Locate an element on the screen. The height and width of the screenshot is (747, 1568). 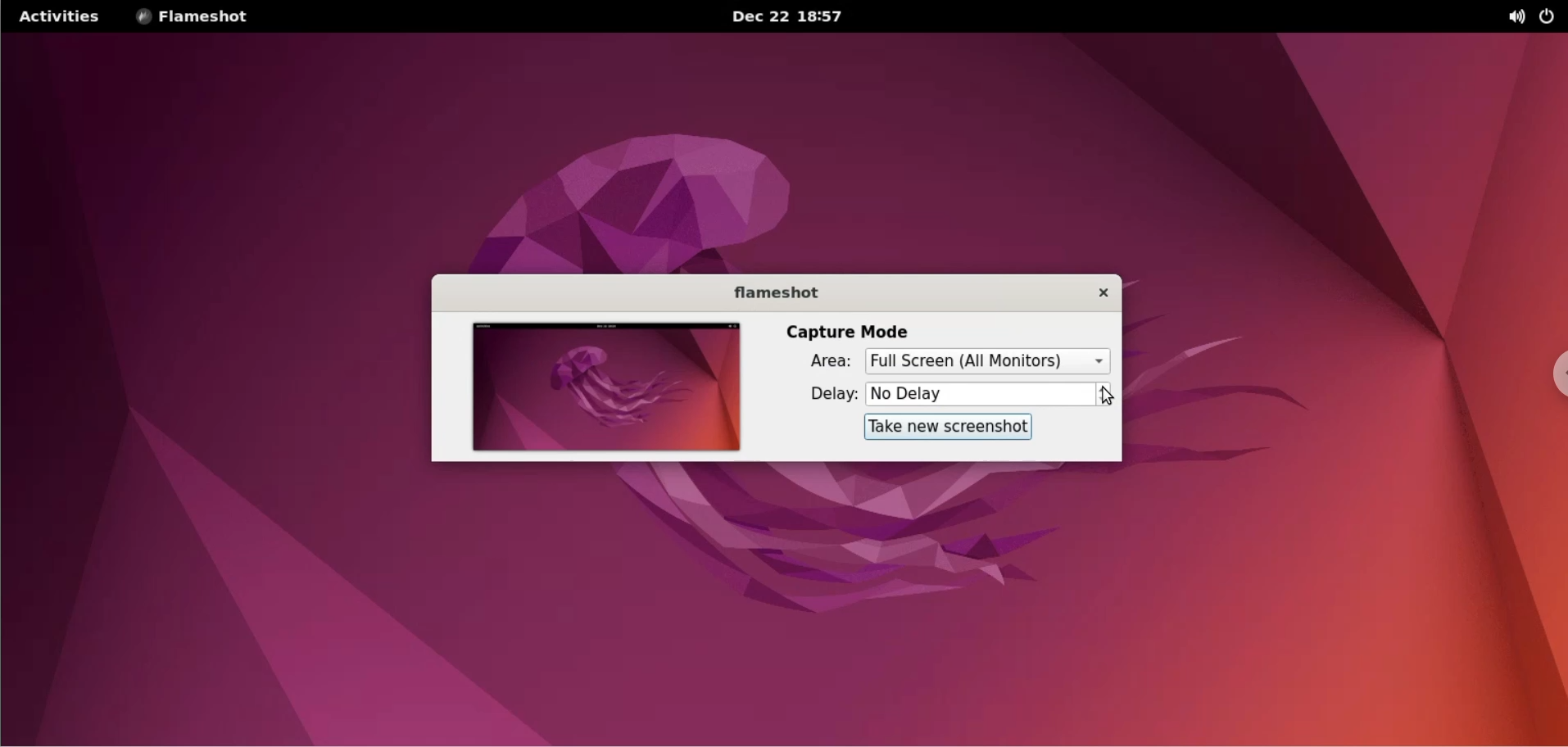
close is located at coordinates (1092, 292).